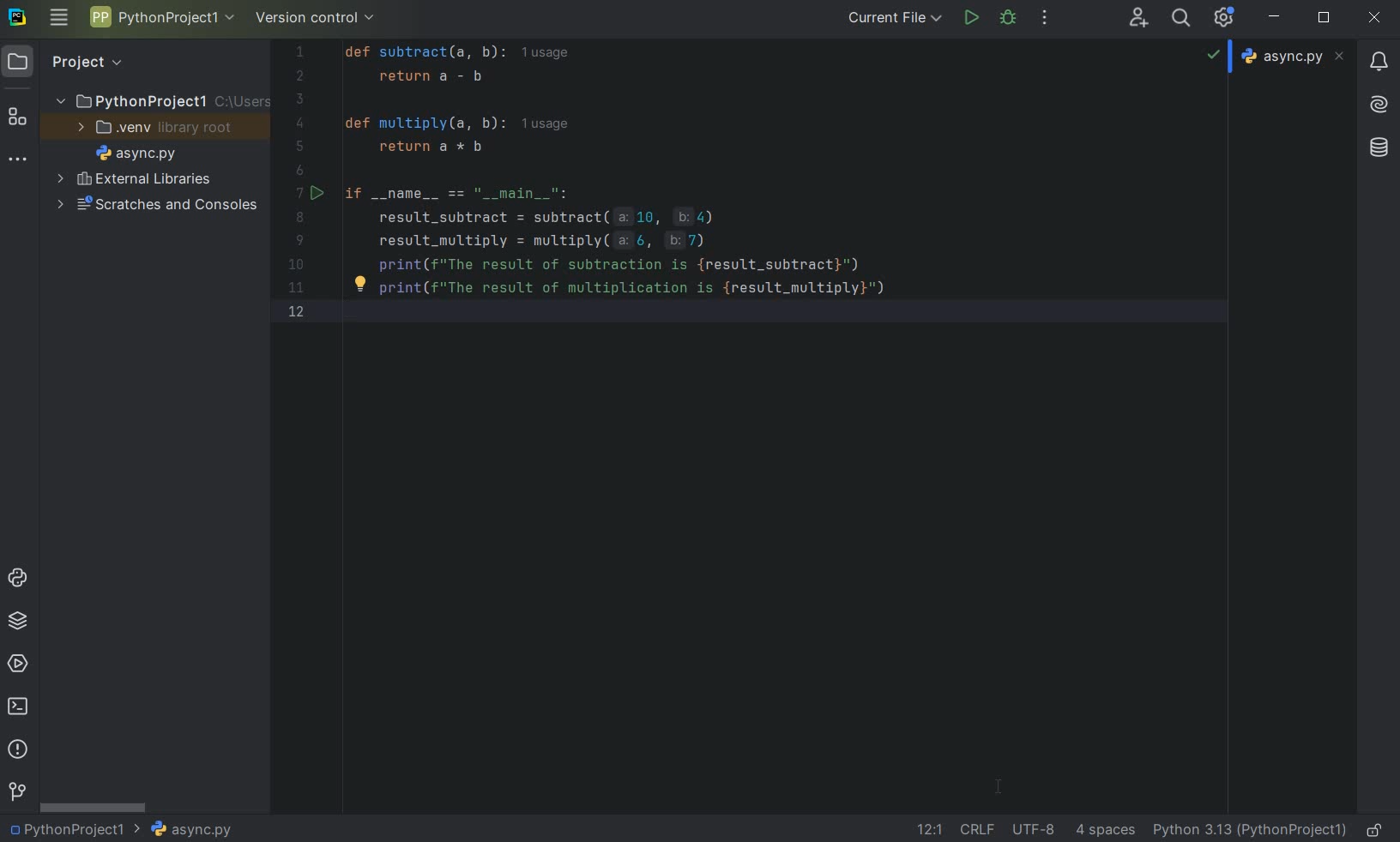 The image size is (1400, 842). Describe the element at coordinates (194, 831) in the screenshot. I see `file name` at that location.